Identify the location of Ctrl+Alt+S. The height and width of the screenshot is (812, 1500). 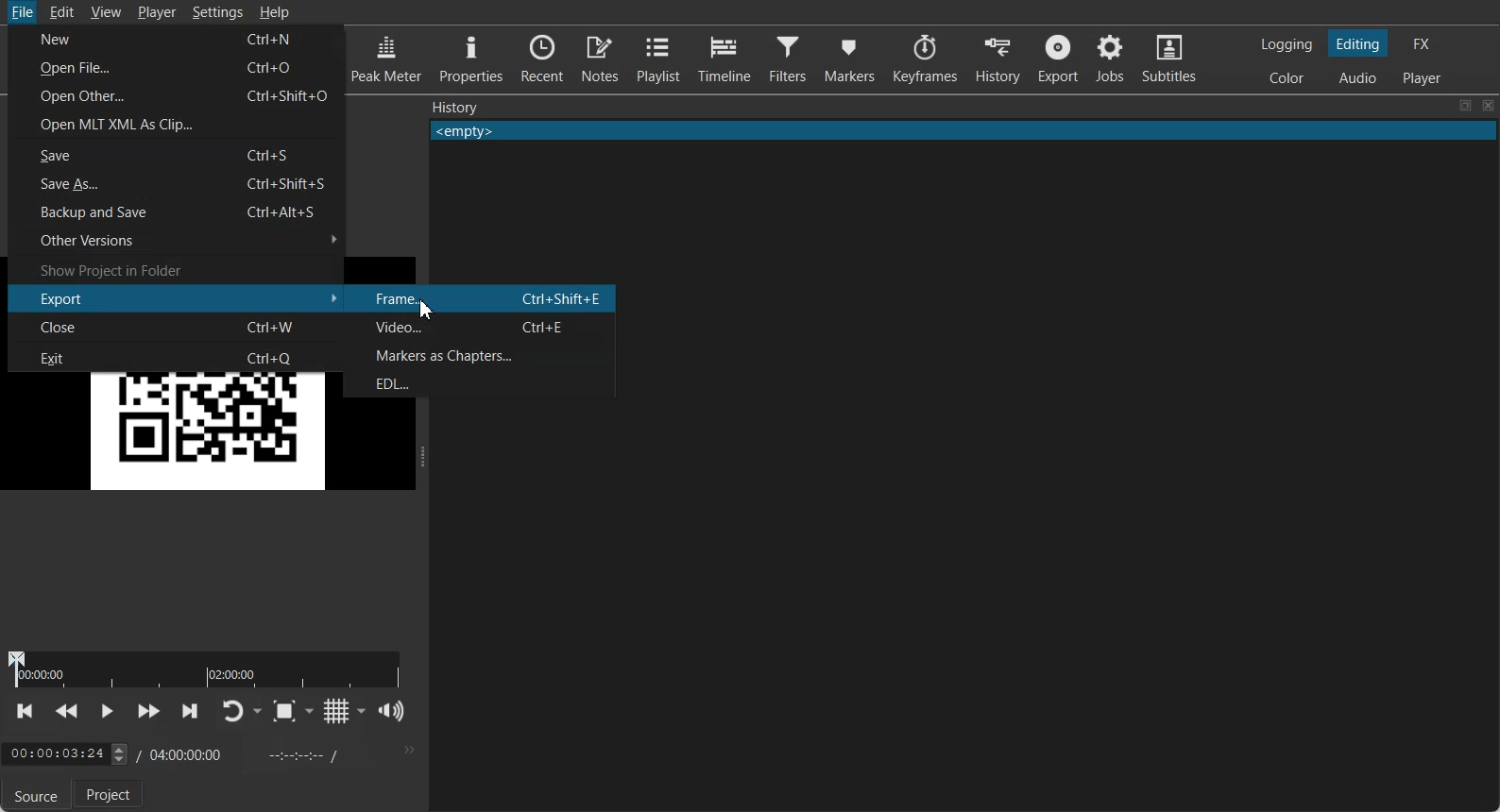
(285, 211).